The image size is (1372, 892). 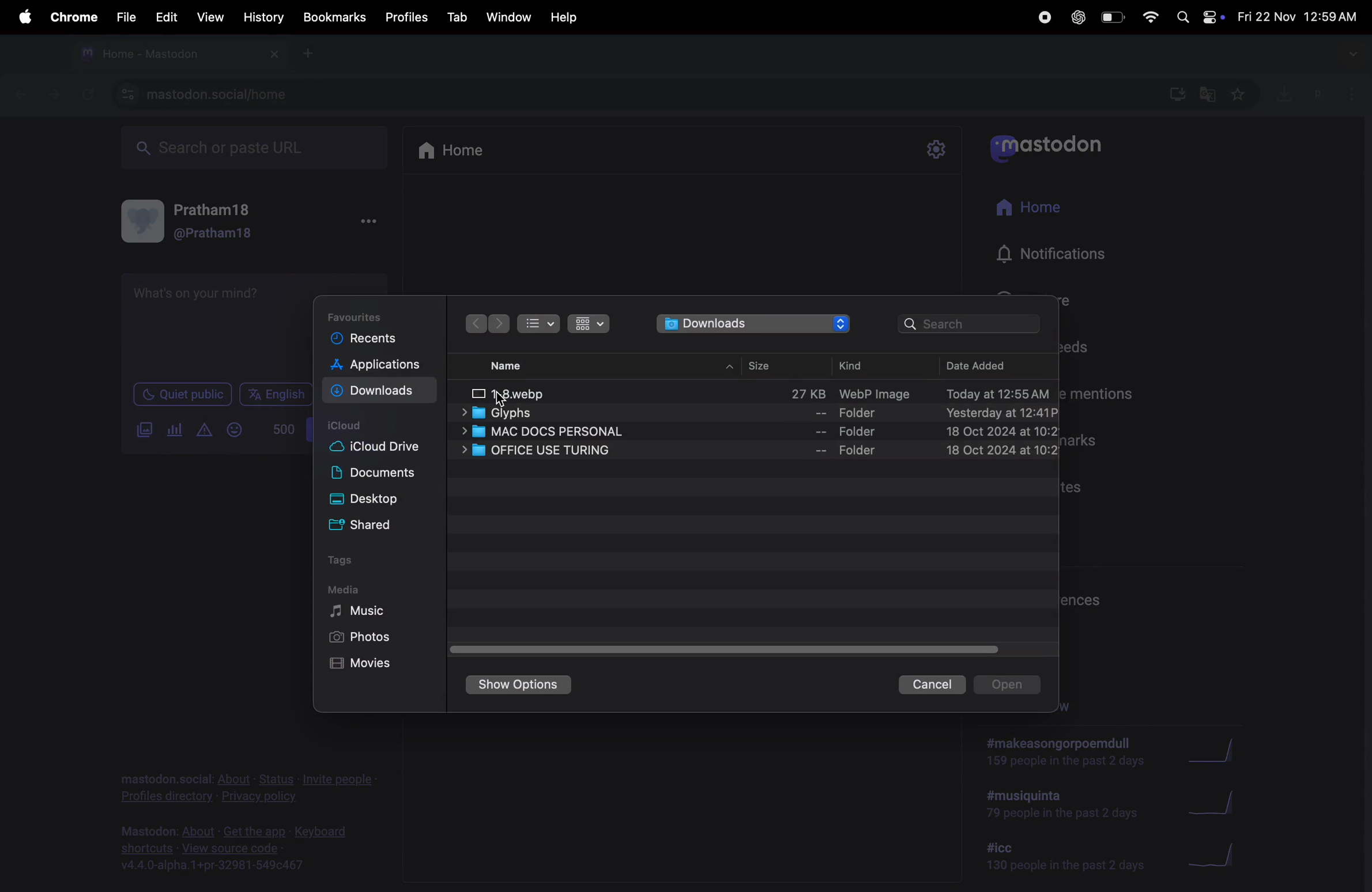 I want to click on download, so click(x=1281, y=95).